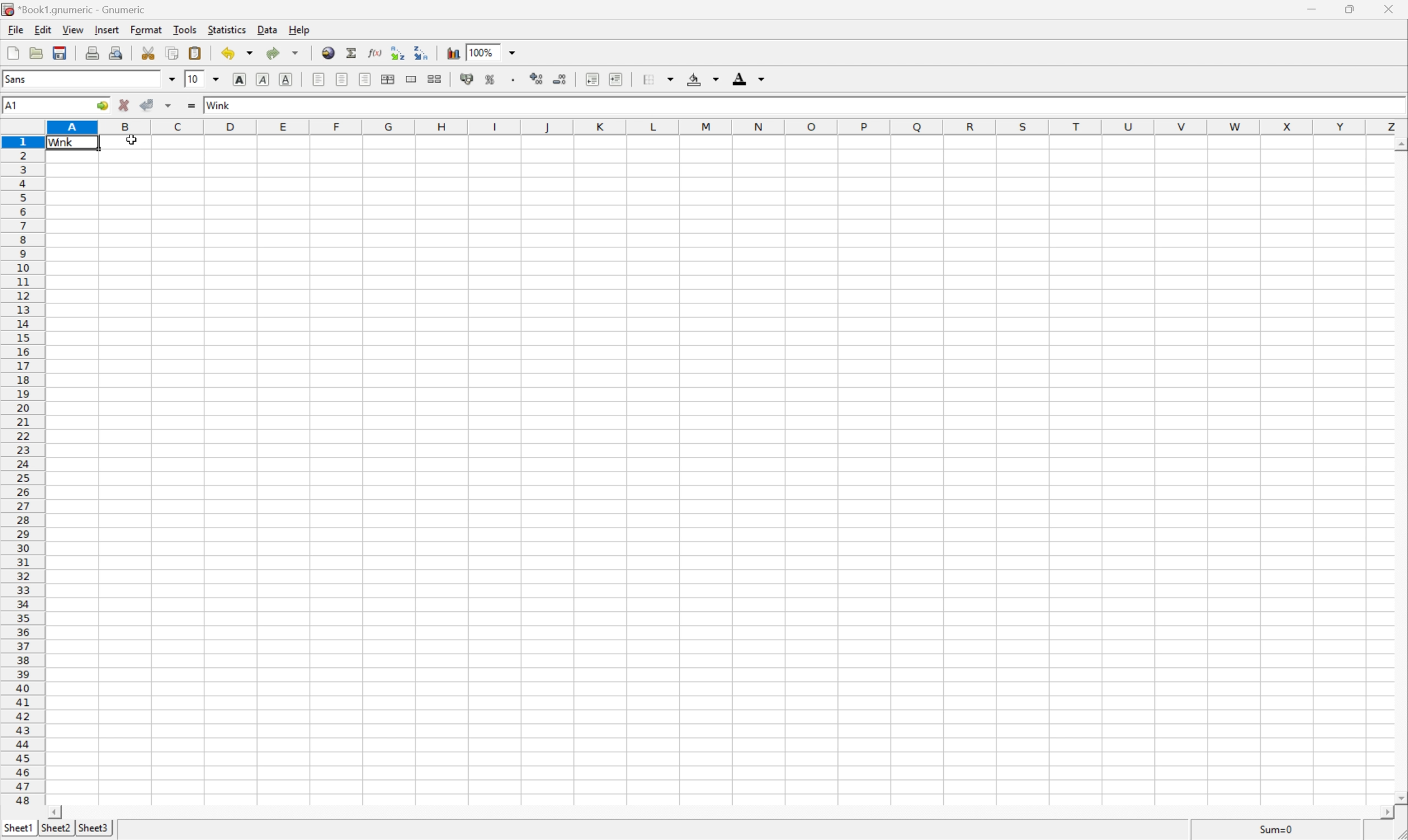 The image size is (1408, 840). Describe the element at coordinates (328, 53) in the screenshot. I see `insert hyperlink` at that location.